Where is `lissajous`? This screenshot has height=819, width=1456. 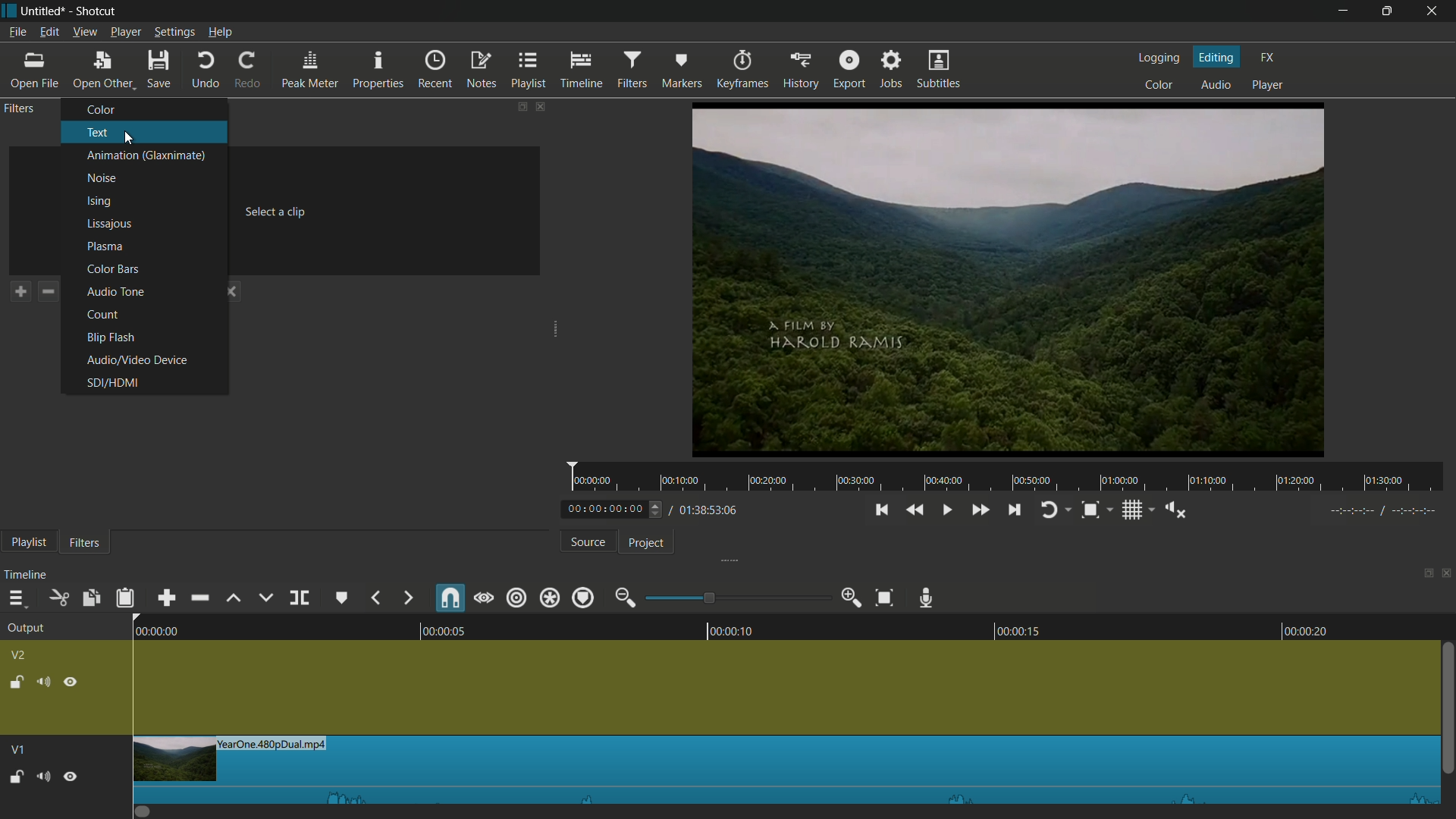 lissajous is located at coordinates (108, 224).